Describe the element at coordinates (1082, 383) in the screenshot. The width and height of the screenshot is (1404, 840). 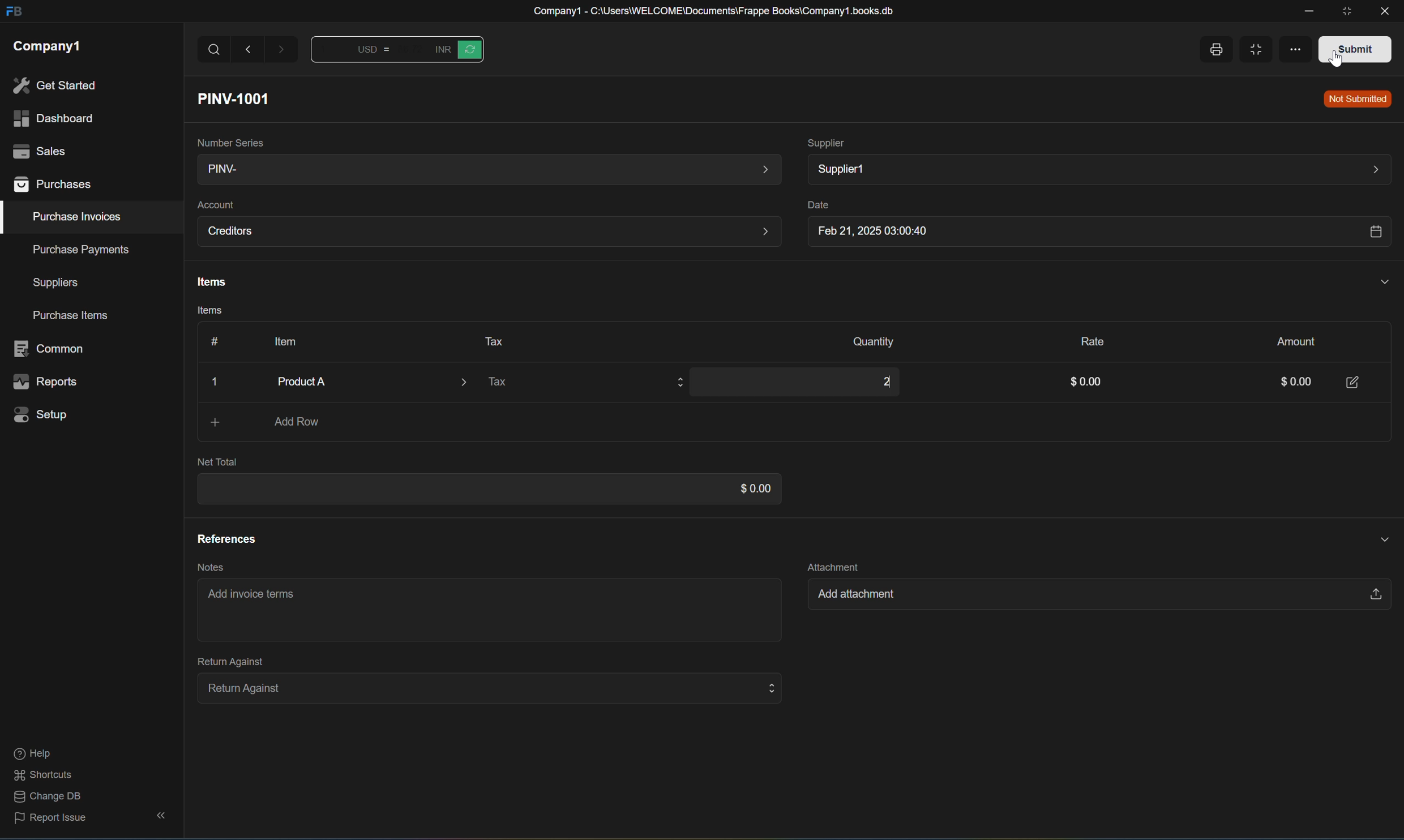
I see `$0.00` at that location.